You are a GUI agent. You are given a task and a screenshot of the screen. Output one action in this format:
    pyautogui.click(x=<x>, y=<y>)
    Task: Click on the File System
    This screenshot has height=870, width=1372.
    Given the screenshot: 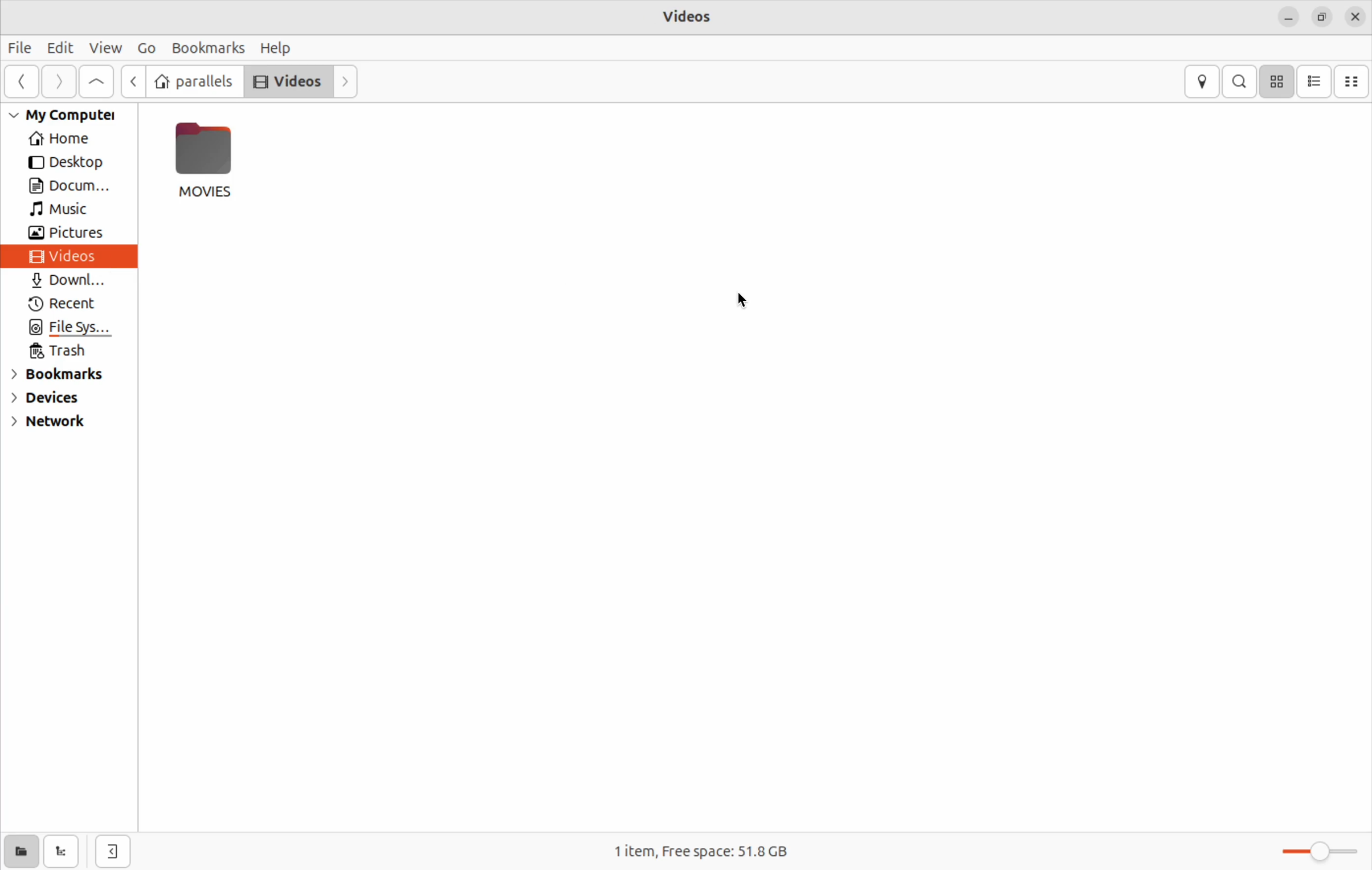 What is the action you would take?
    pyautogui.click(x=71, y=330)
    